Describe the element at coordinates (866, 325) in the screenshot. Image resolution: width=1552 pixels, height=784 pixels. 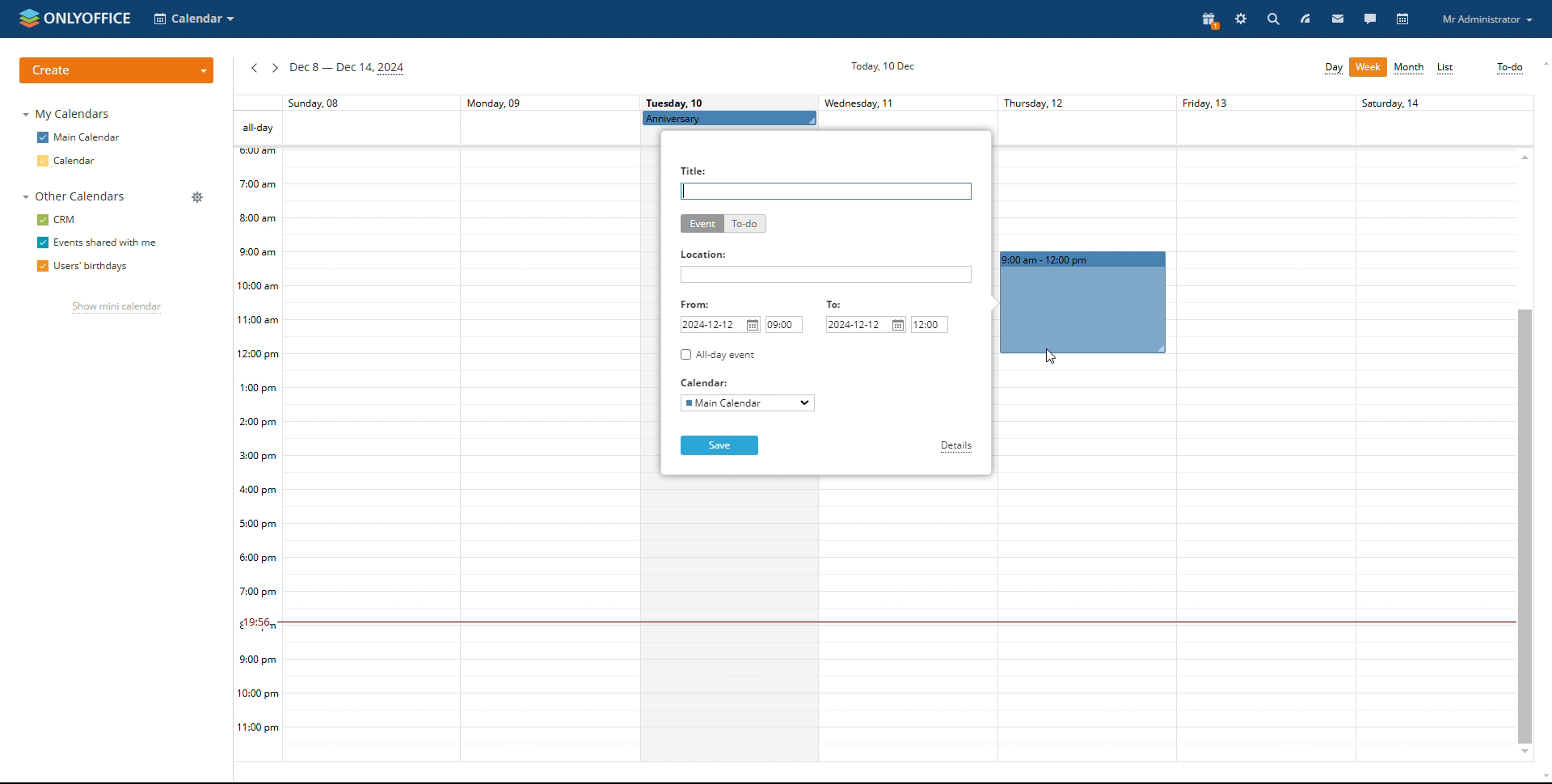
I see `end date` at that location.